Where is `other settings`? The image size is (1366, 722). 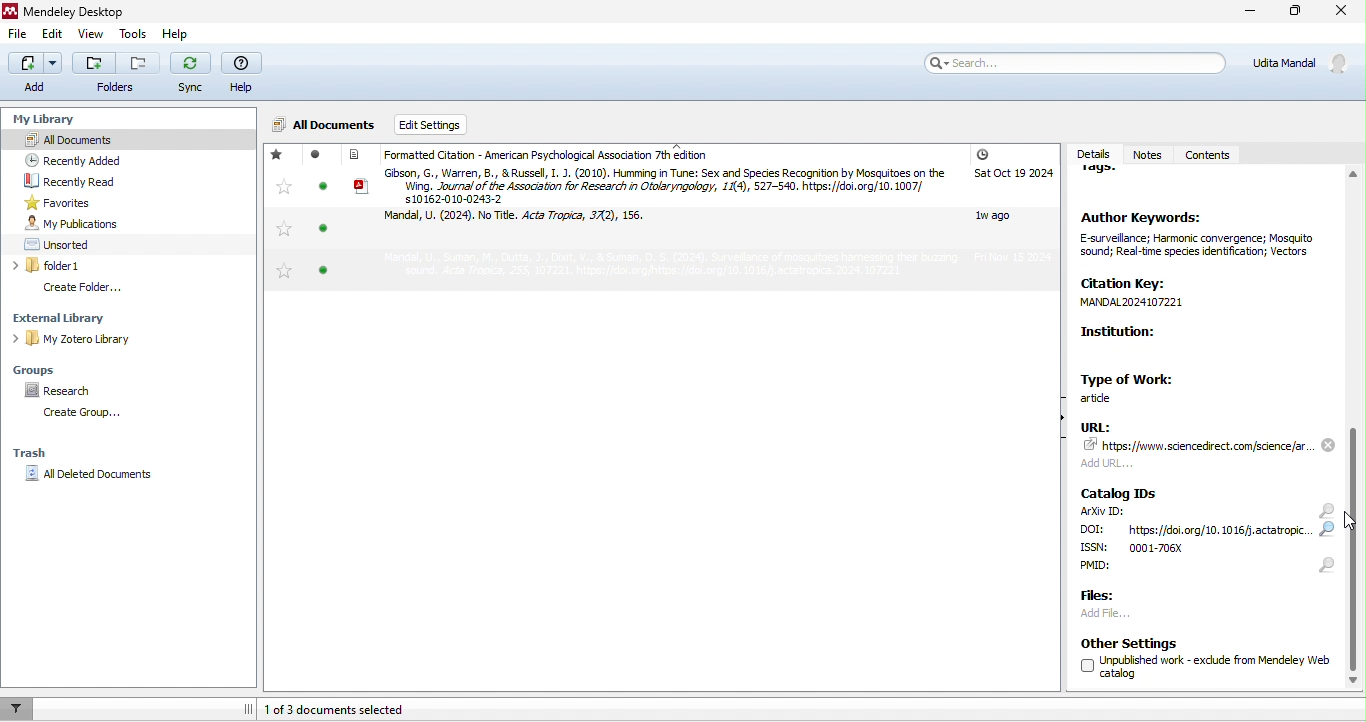
other settings is located at coordinates (1204, 660).